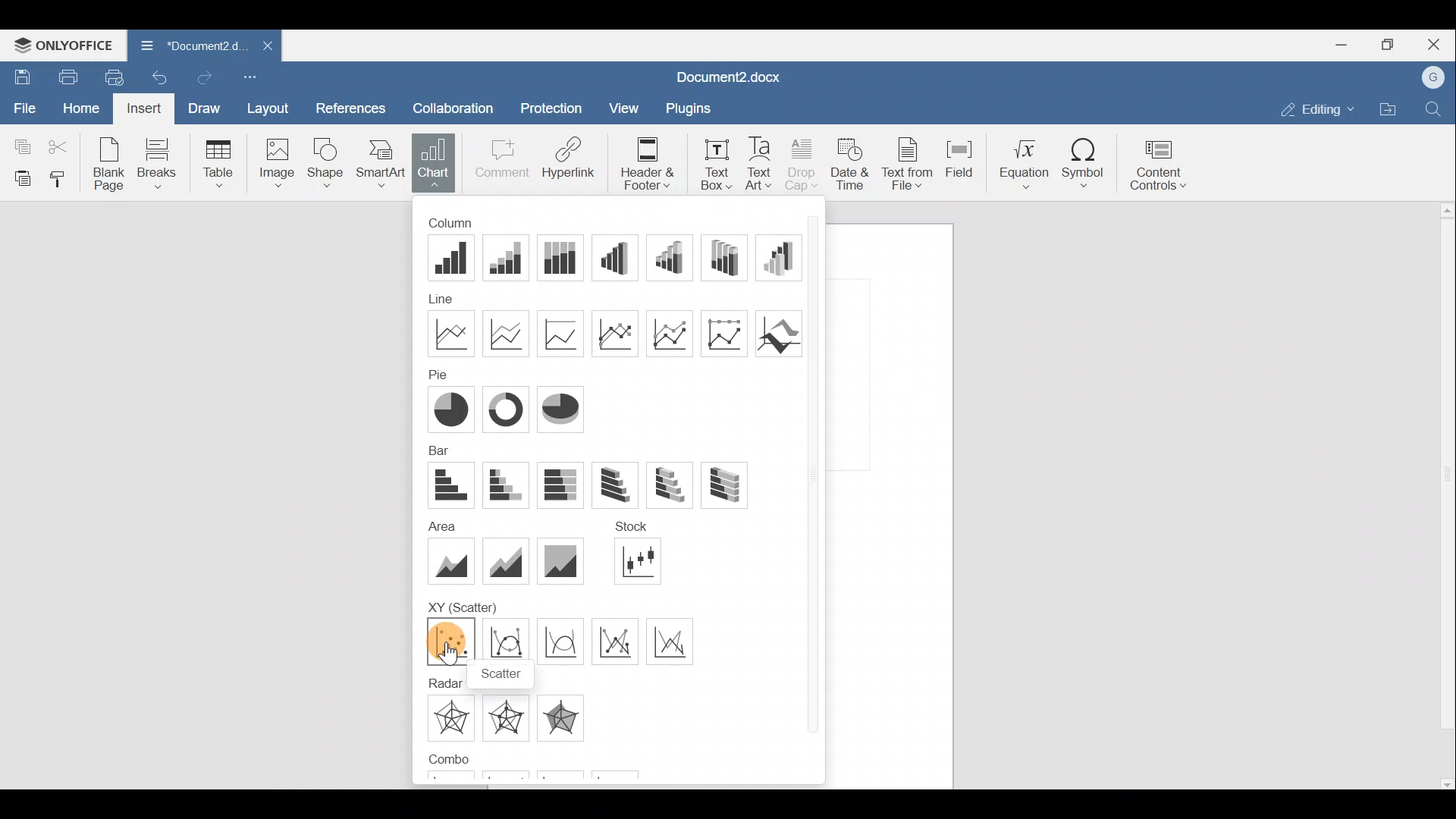 This screenshot has height=819, width=1456. Describe the element at coordinates (620, 257) in the screenshot. I see `3-D clustered column` at that location.